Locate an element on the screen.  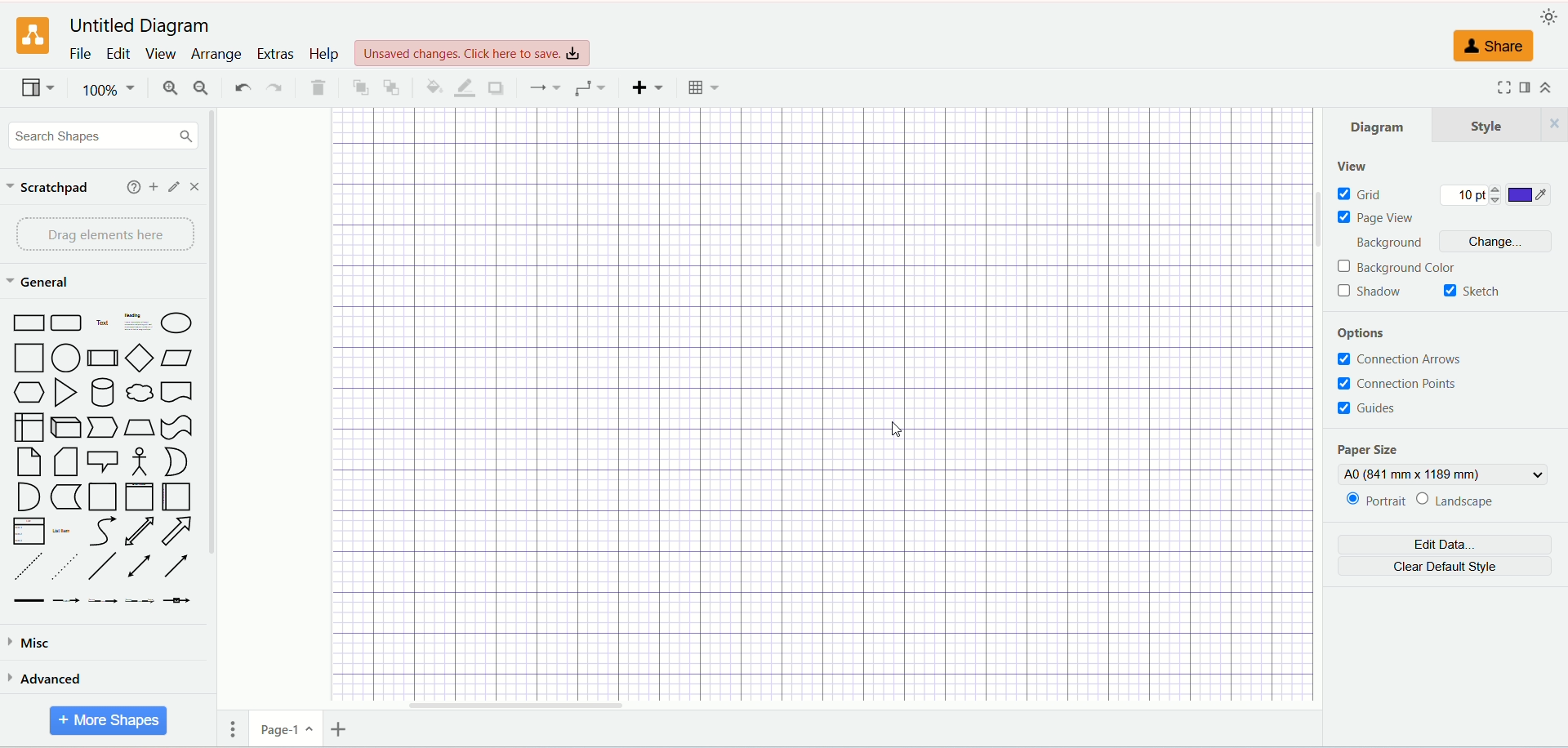
style is located at coordinates (1505, 124).